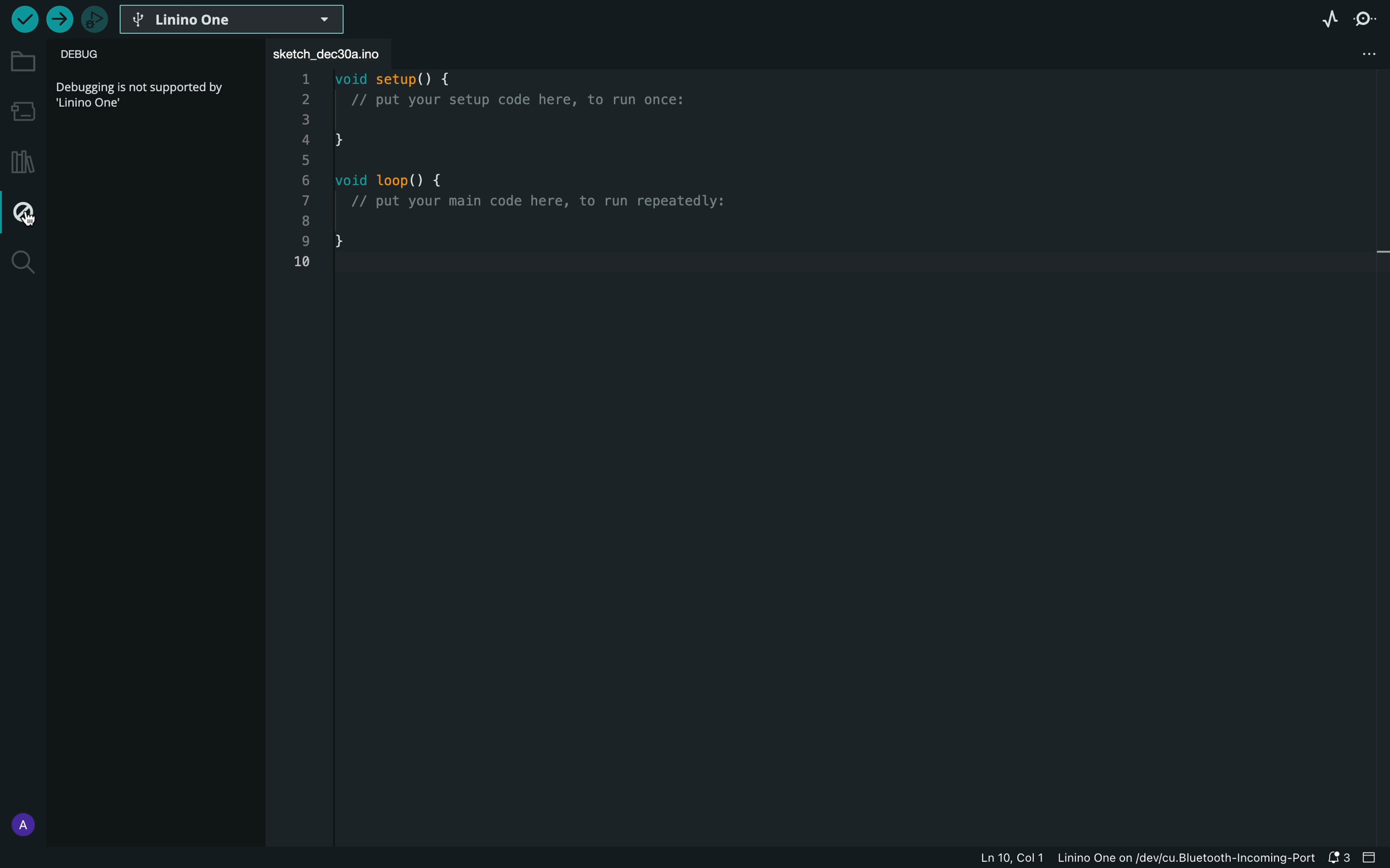 The width and height of the screenshot is (1390, 868). Describe the element at coordinates (235, 19) in the screenshot. I see `board select` at that location.